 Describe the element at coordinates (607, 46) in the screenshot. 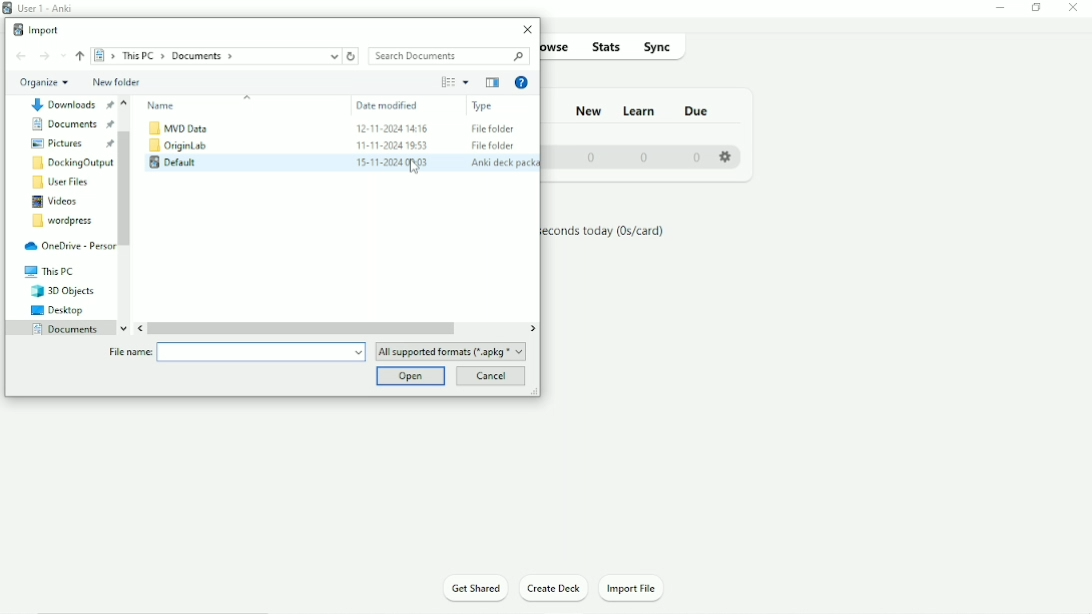

I see `Stats` at that location.